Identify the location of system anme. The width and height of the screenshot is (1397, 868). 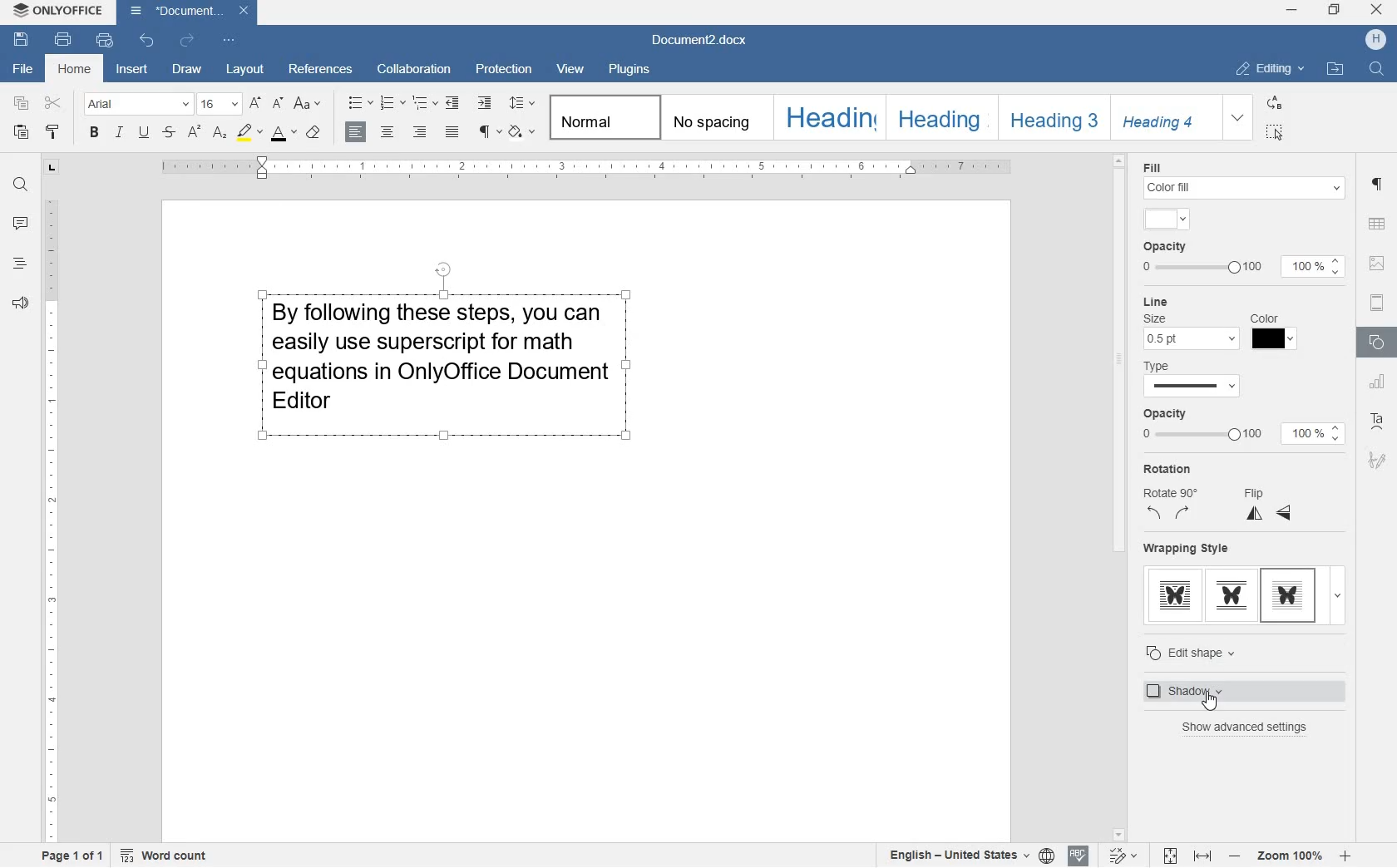
(58, 11).